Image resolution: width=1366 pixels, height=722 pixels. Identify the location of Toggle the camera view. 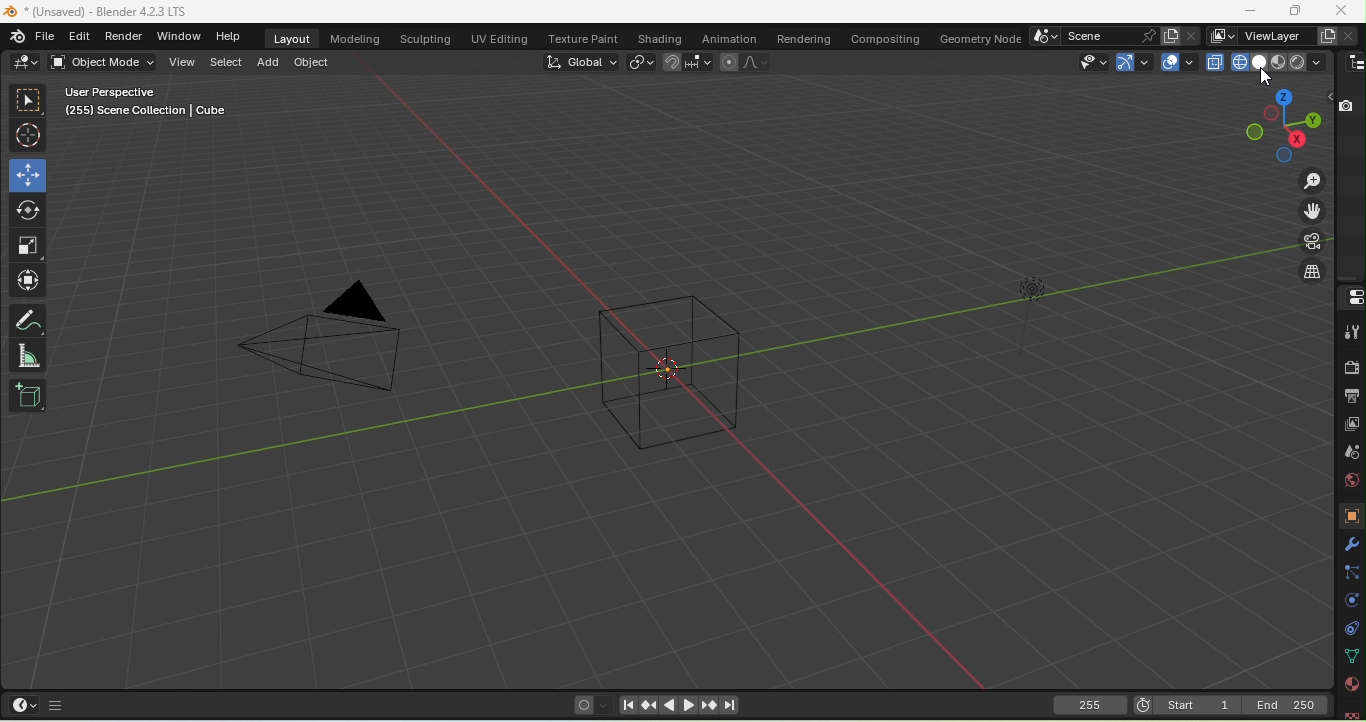
(1312, 242).